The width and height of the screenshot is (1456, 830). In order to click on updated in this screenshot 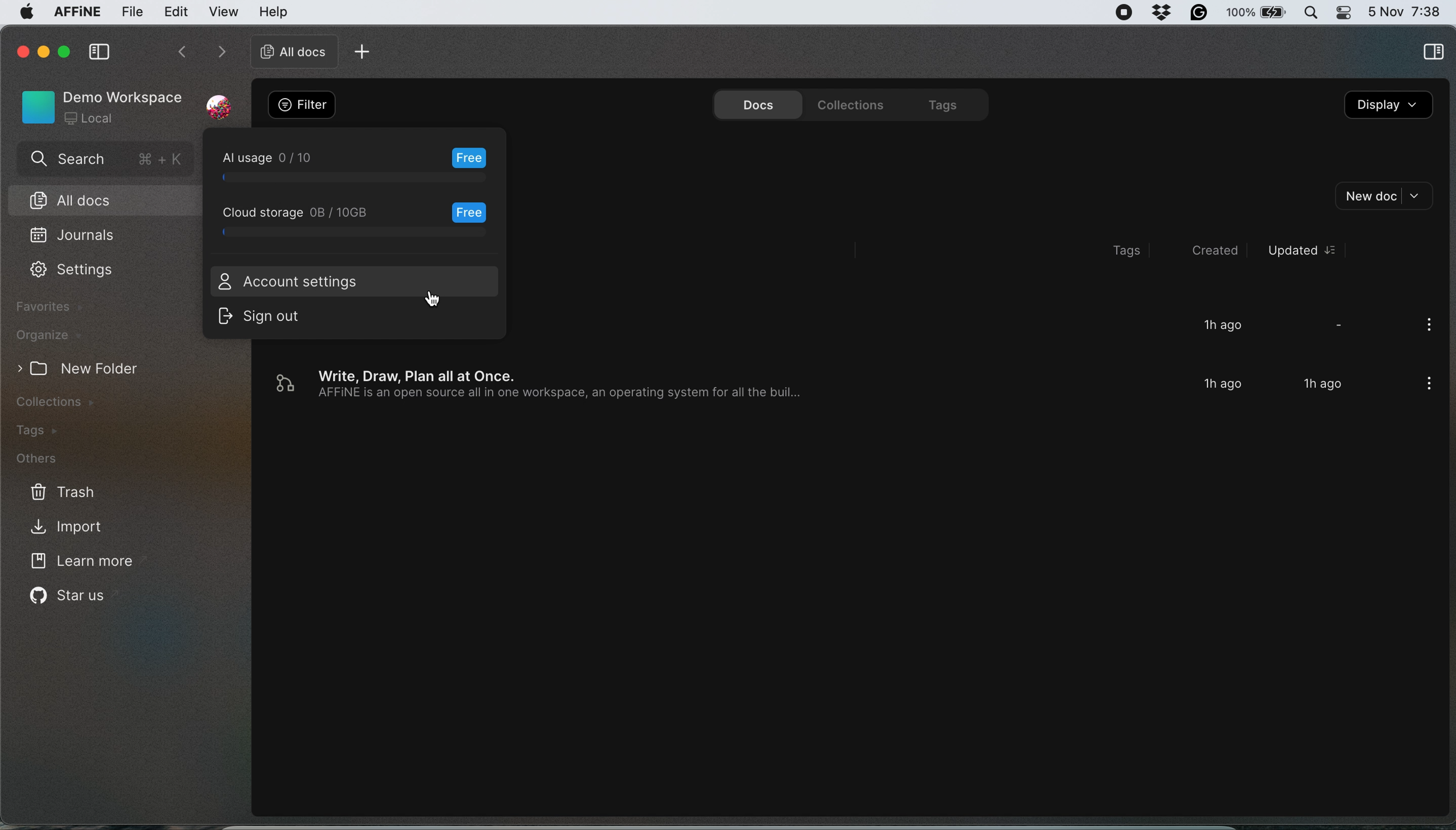, I will do `click(1301, 250)`.